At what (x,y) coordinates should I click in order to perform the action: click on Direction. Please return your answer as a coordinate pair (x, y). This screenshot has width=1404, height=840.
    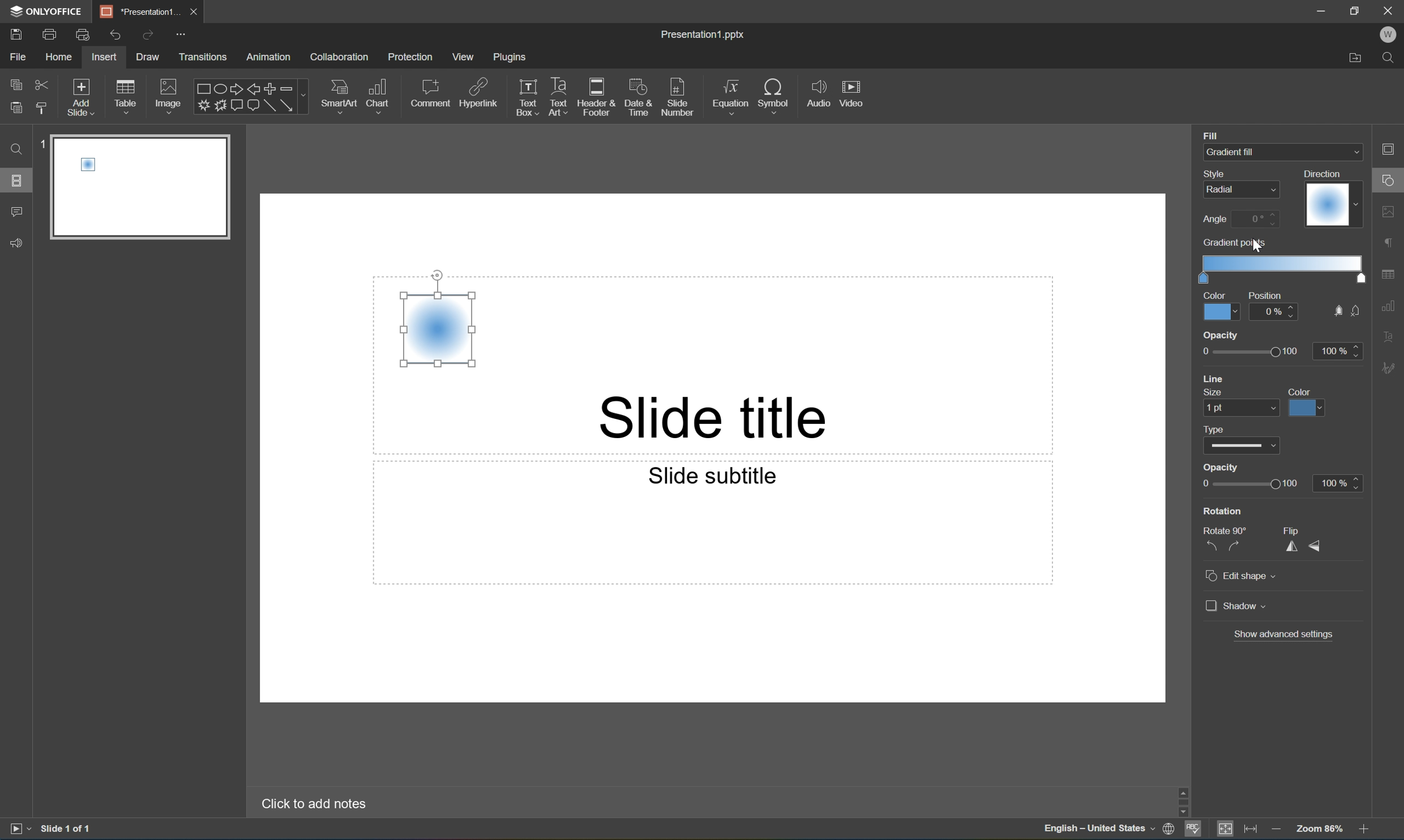
    Looking at the image, I should click on (1332, 199).